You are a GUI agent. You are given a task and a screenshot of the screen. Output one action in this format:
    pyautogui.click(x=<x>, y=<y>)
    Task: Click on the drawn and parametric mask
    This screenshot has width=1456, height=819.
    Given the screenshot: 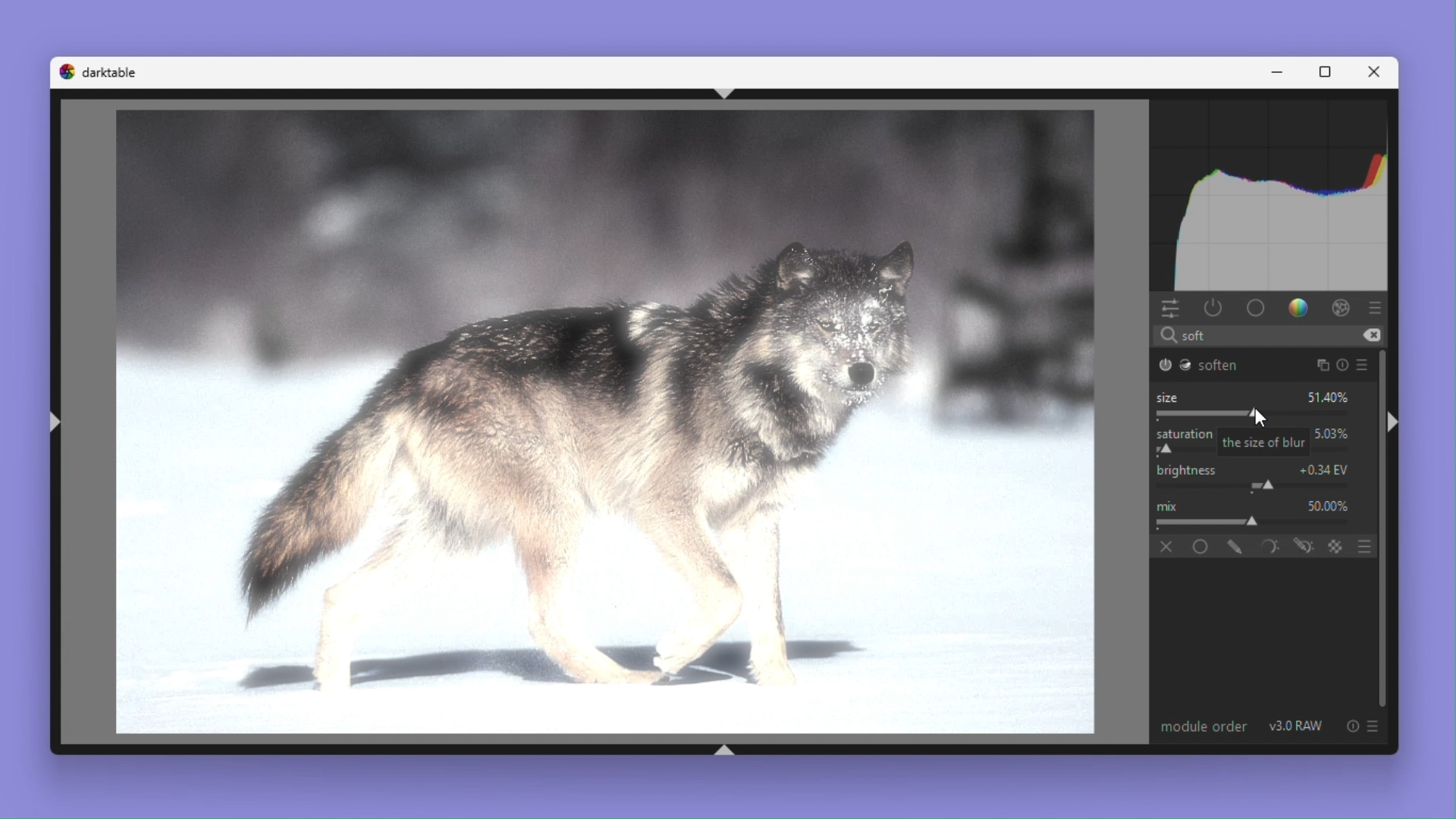 What is the action you would take?
    pyautogui.click(x=1302, y=545)
    